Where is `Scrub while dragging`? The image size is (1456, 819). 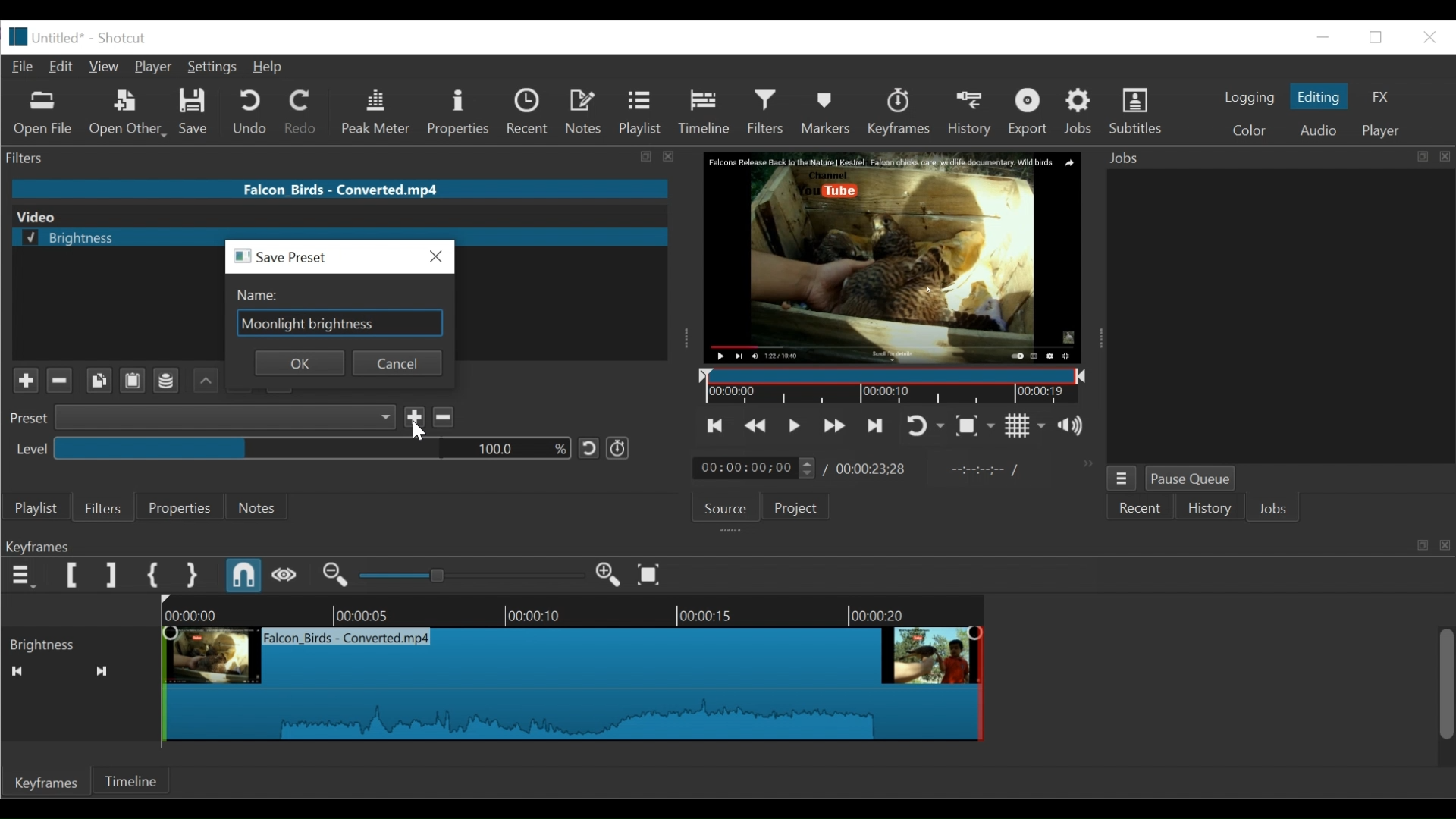
Scrub while dragging is located at coordinates (284, 576).